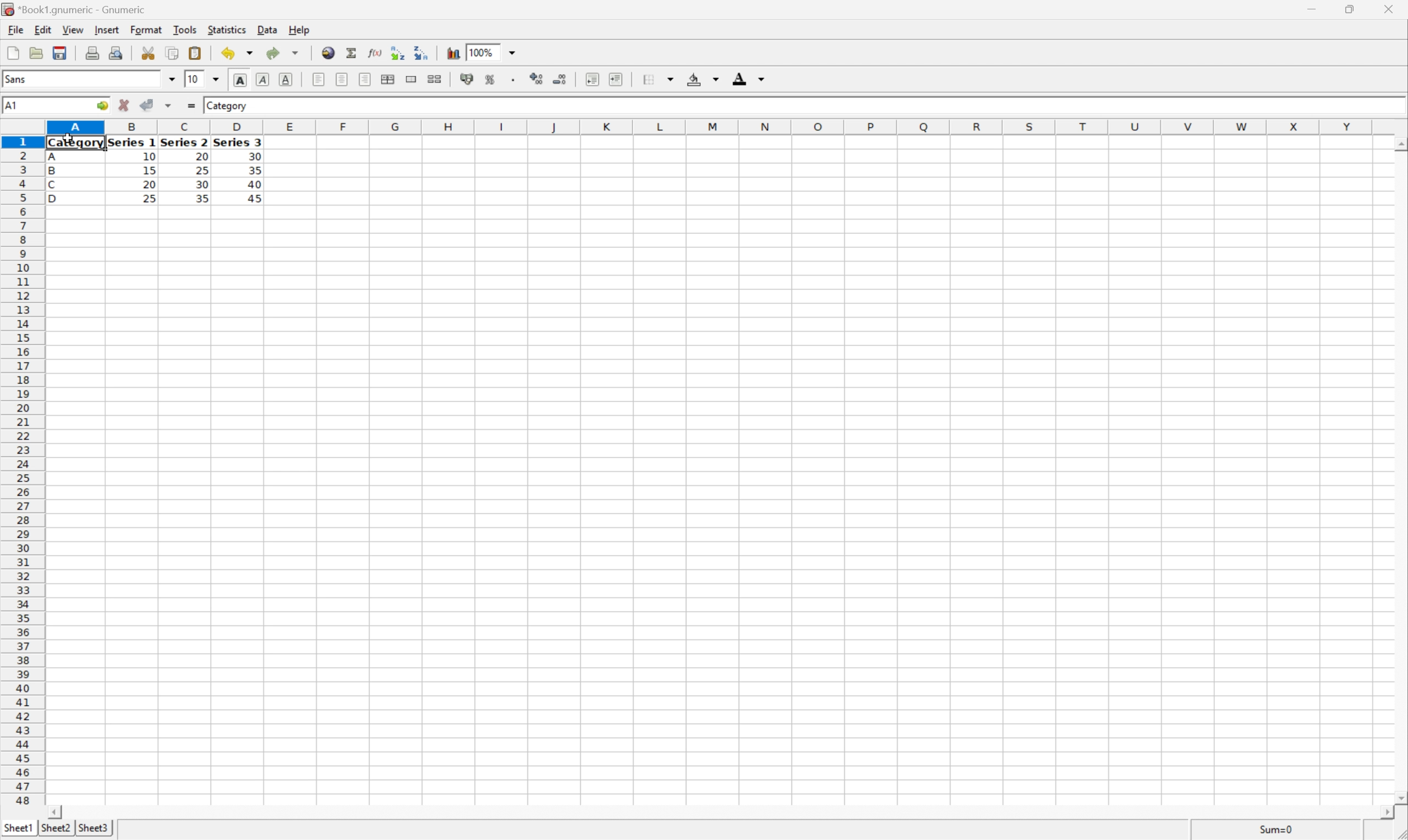 Image resolution: width=1408 pixels, height=840 pixels. Describe the element at coordinates (59, 52) in the screenshot. I see `Save current workbook` at that location.